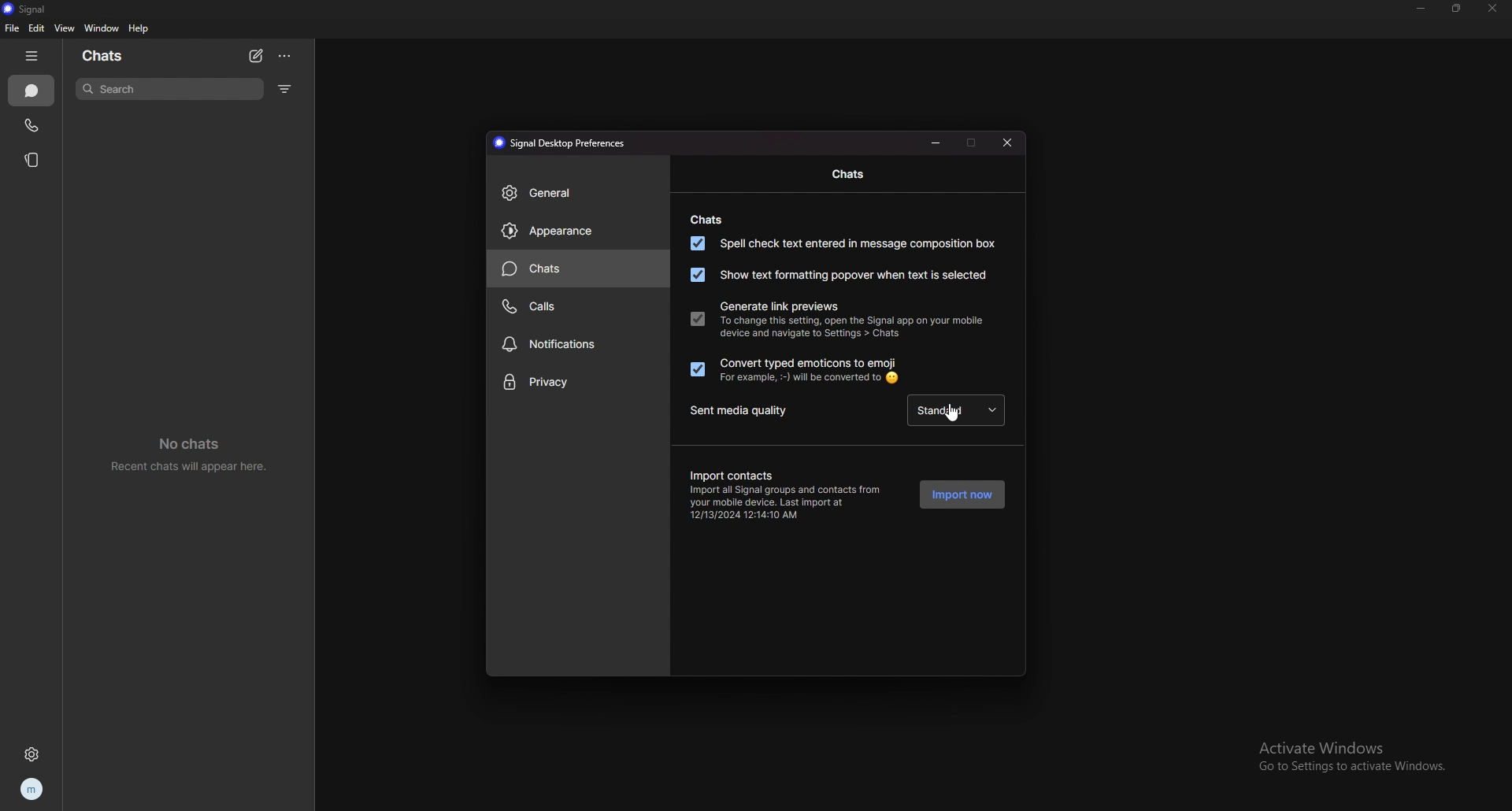  I want to click on recent chats will appear here, so click(191, 452).